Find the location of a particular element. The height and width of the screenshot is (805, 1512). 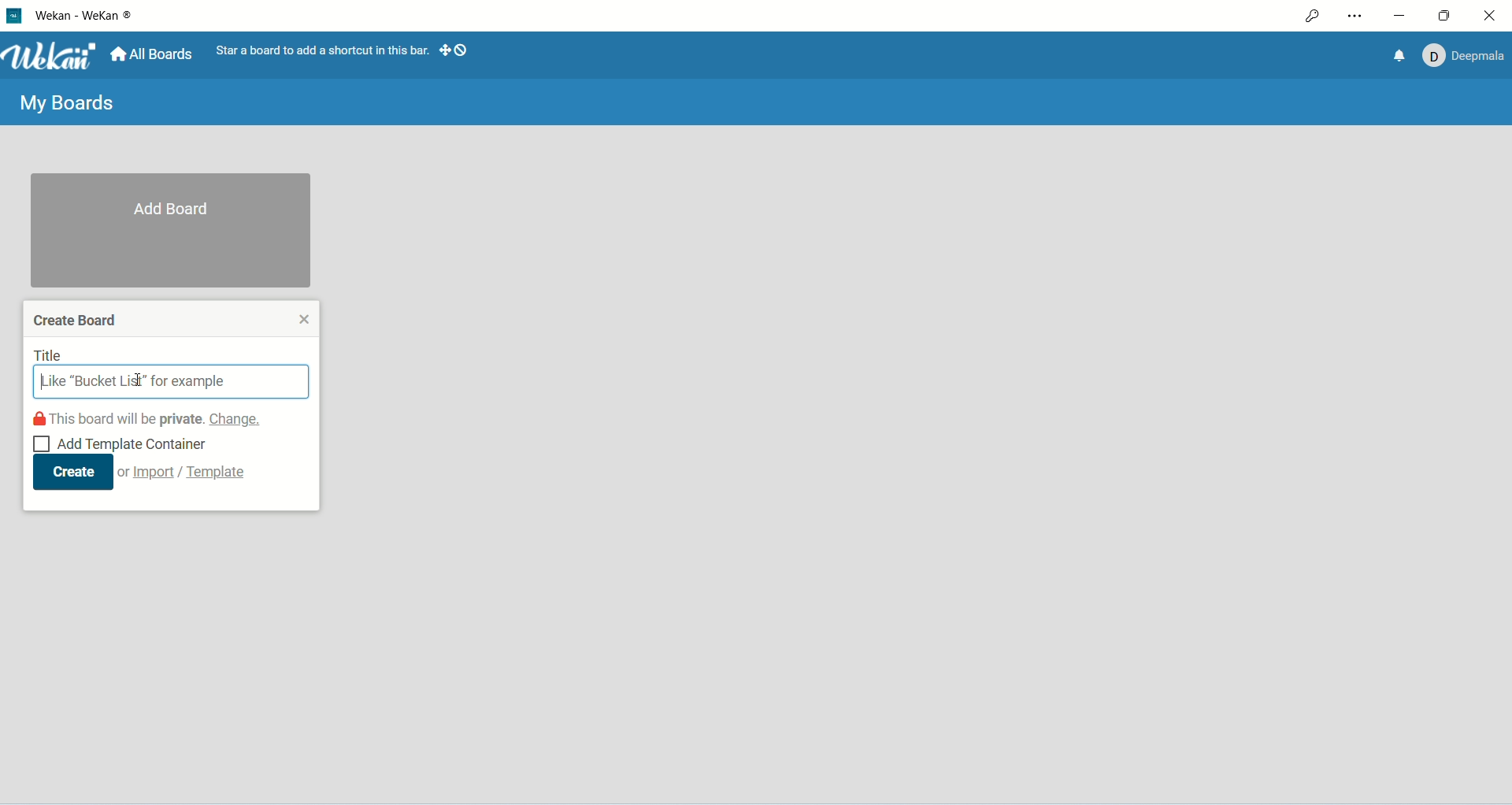

all boards is located at coordinates (154, 54).